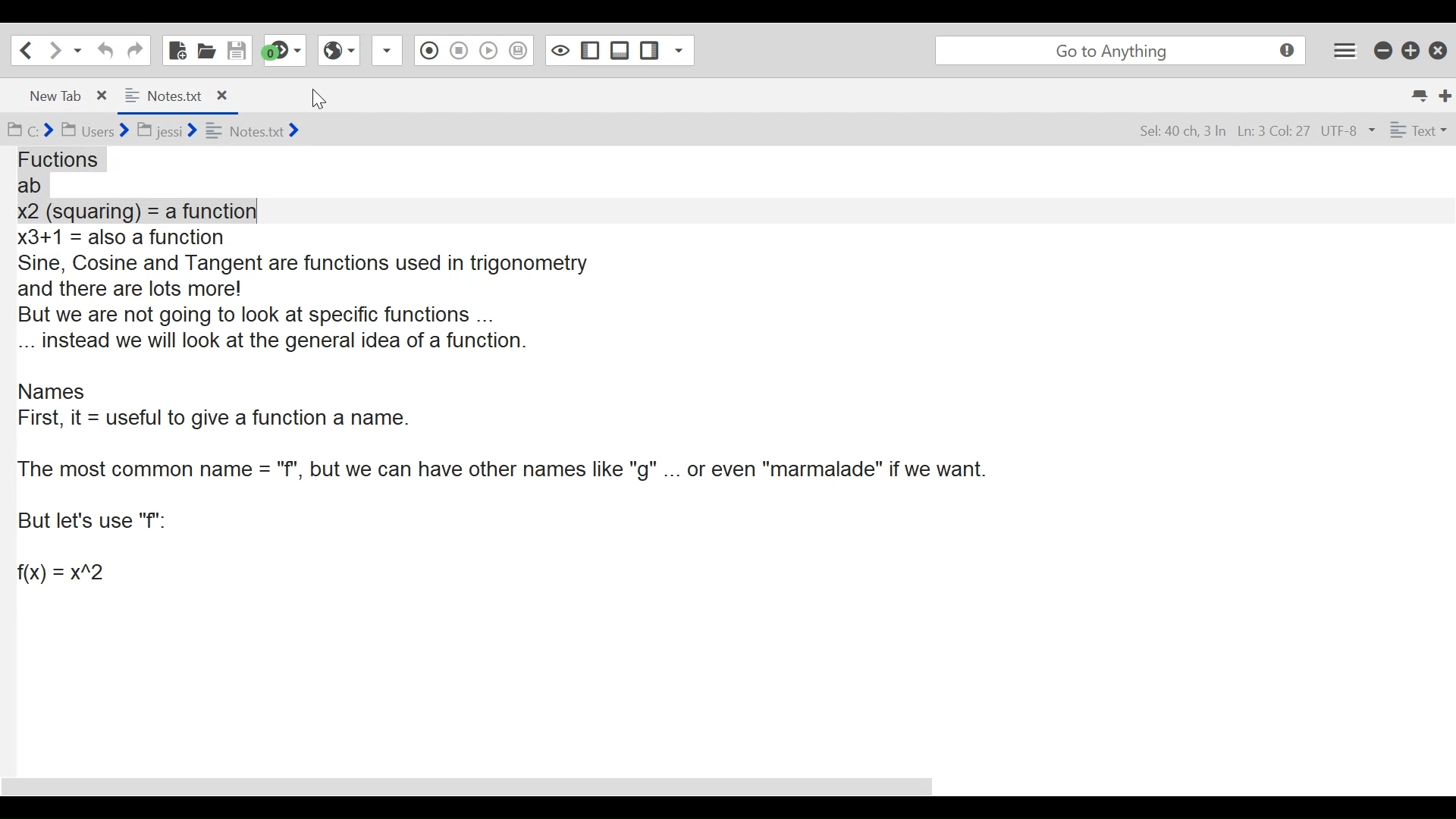 This screenshot has height=819, width=1456. I want to click on Sow/Hide Left Pane, so click(620, 49).